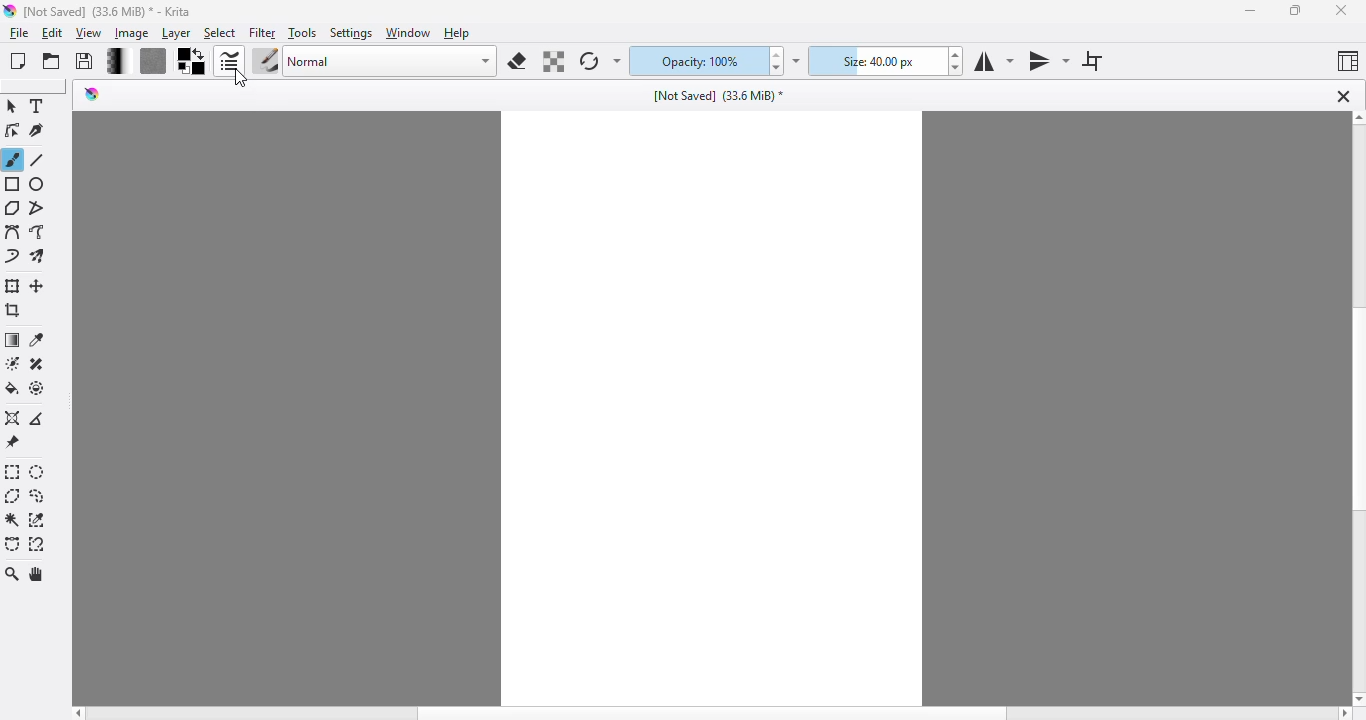 The height and width of the screenshot is (720, 1366). I want to click on pan tool, so click(39, 575).